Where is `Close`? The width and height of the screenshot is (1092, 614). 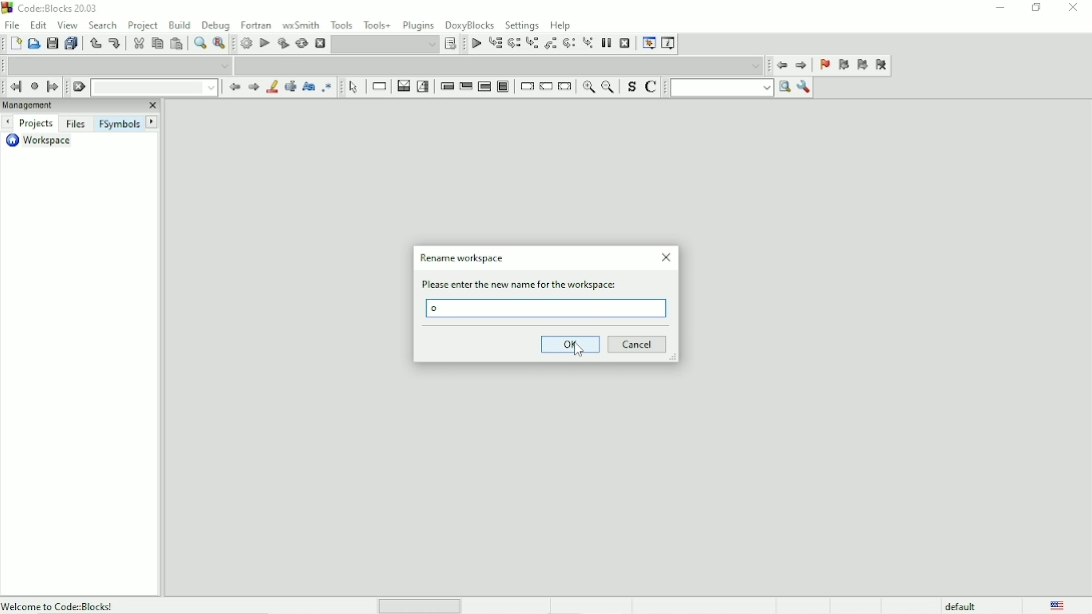 Close is located at coordinates (667, 258).